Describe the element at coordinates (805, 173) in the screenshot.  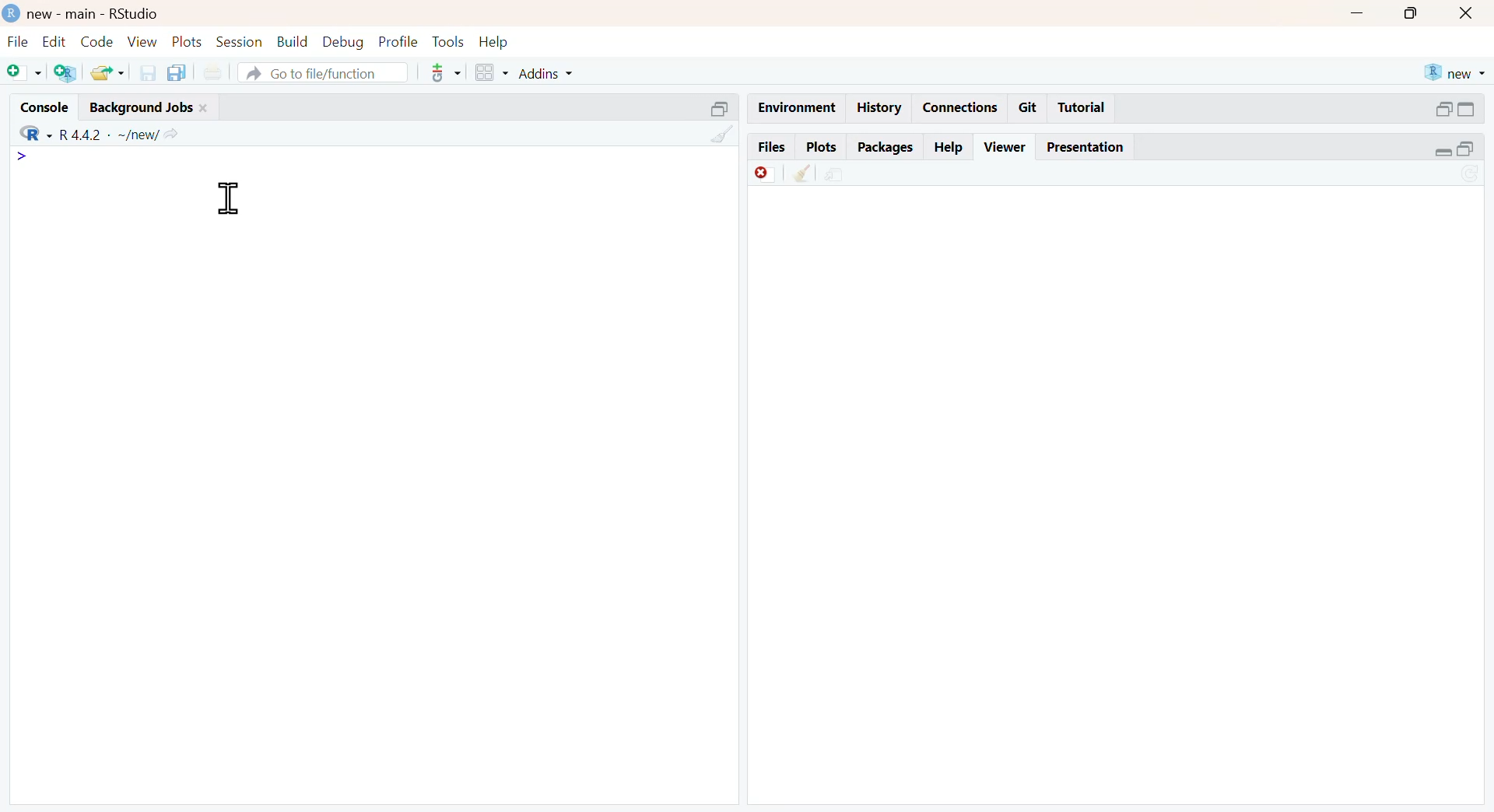
I see `clean` at that location.